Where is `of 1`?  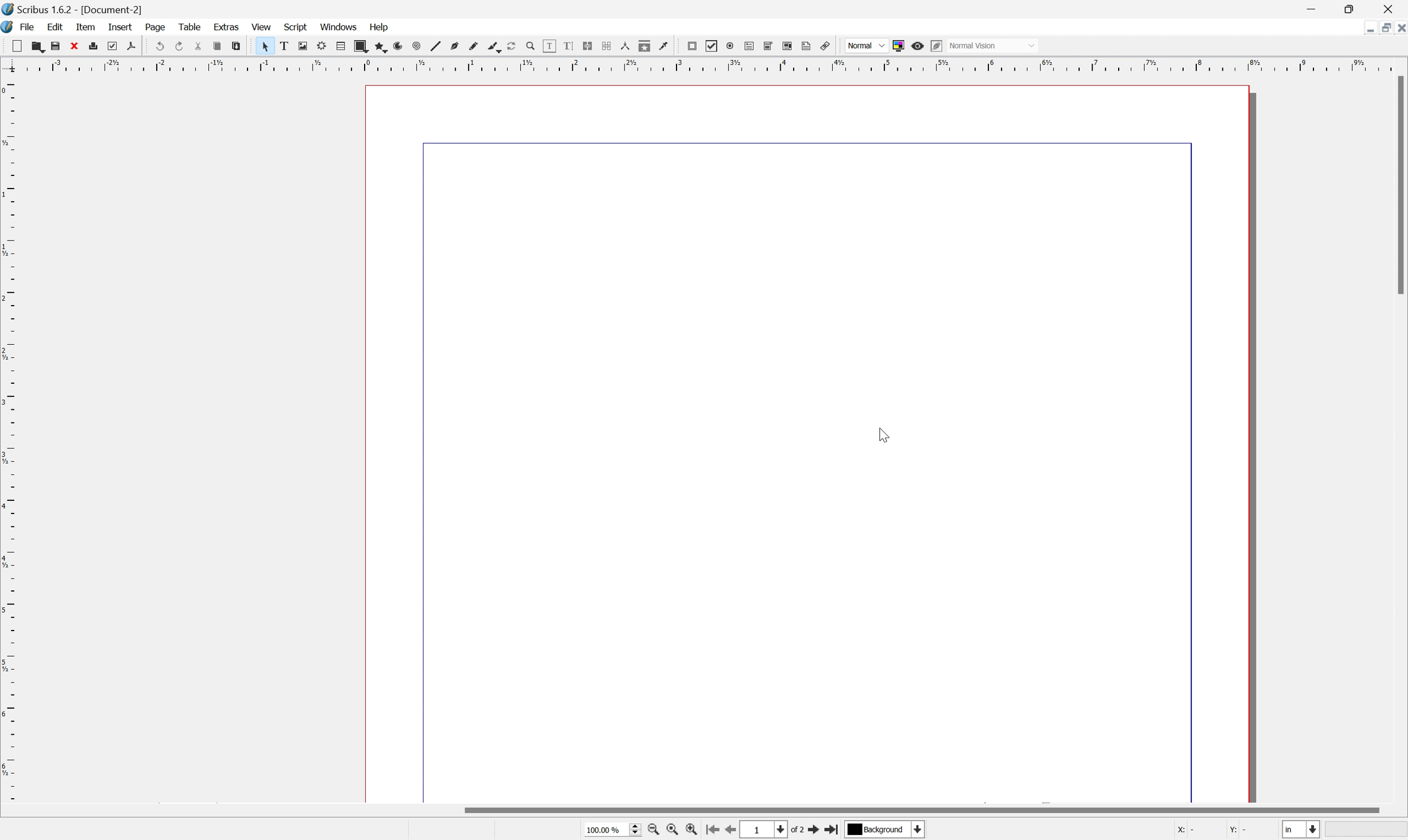 of 1 is located at coordinates (795, 829).